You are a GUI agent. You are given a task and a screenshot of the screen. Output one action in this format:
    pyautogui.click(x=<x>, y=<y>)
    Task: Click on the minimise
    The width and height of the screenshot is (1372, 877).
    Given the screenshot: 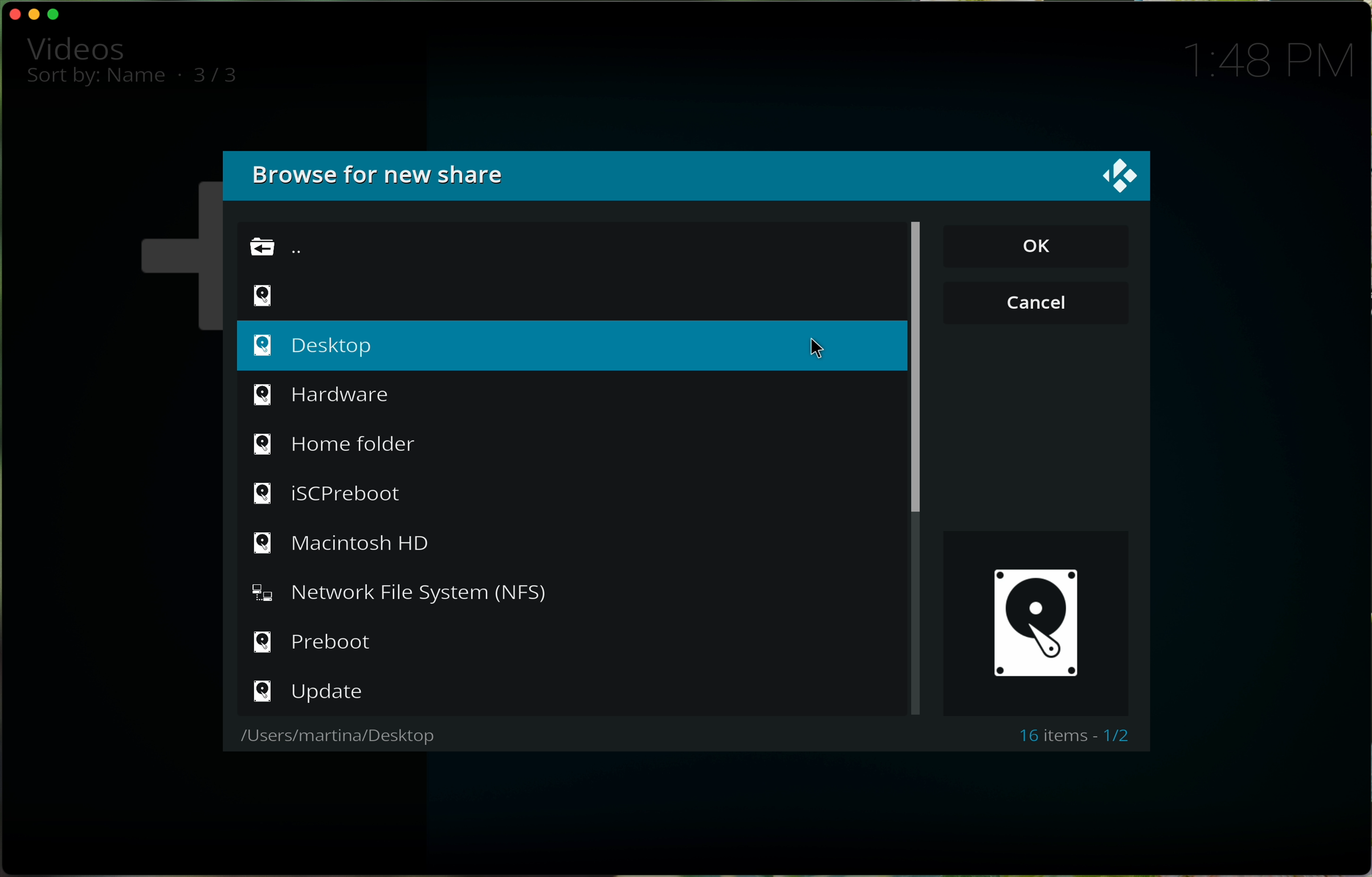 What is the action you would take?
    pyautogui.click(x=36, y=13)
    